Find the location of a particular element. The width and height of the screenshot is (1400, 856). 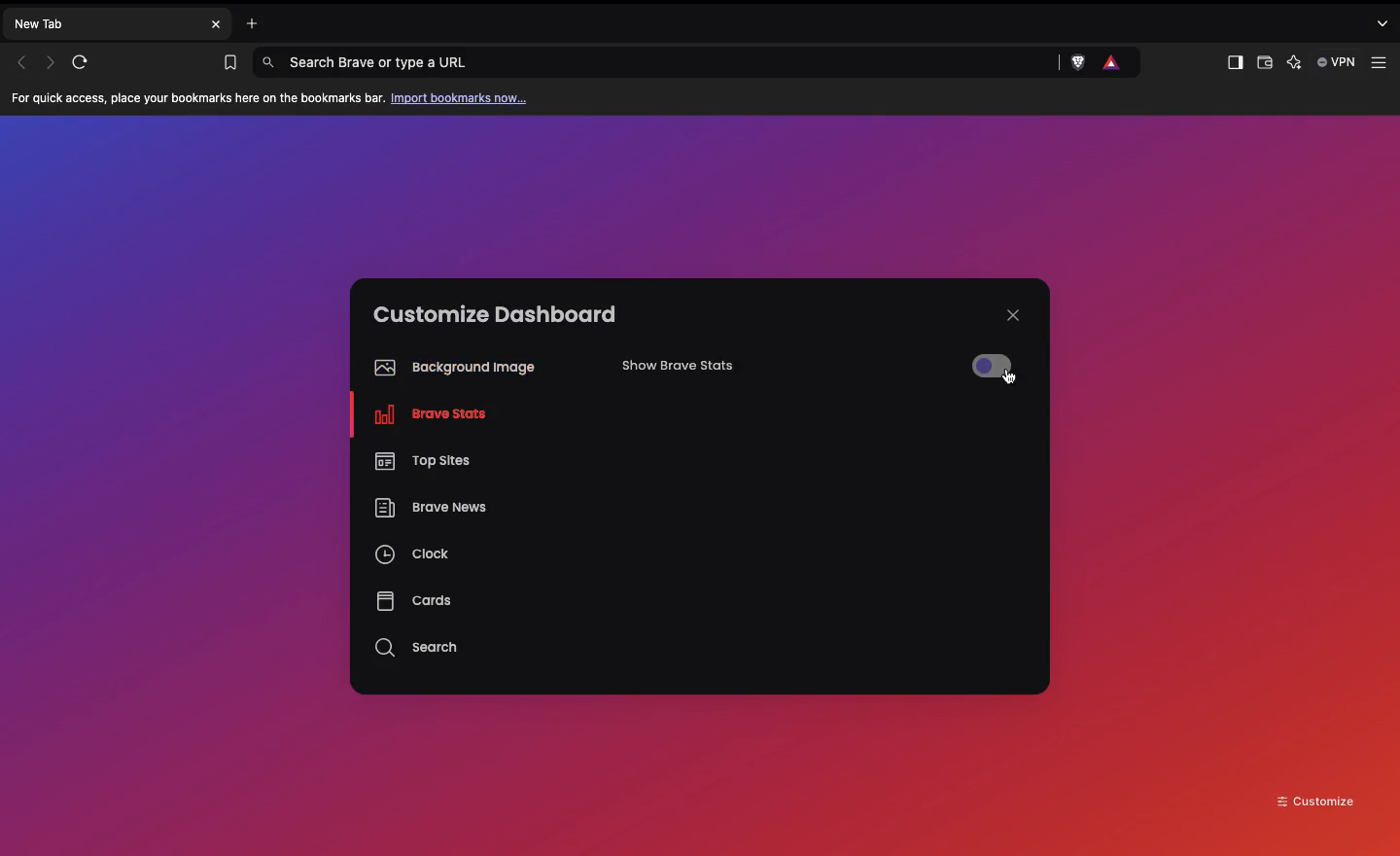

Bookmarks is located at coordinates (226, 63).